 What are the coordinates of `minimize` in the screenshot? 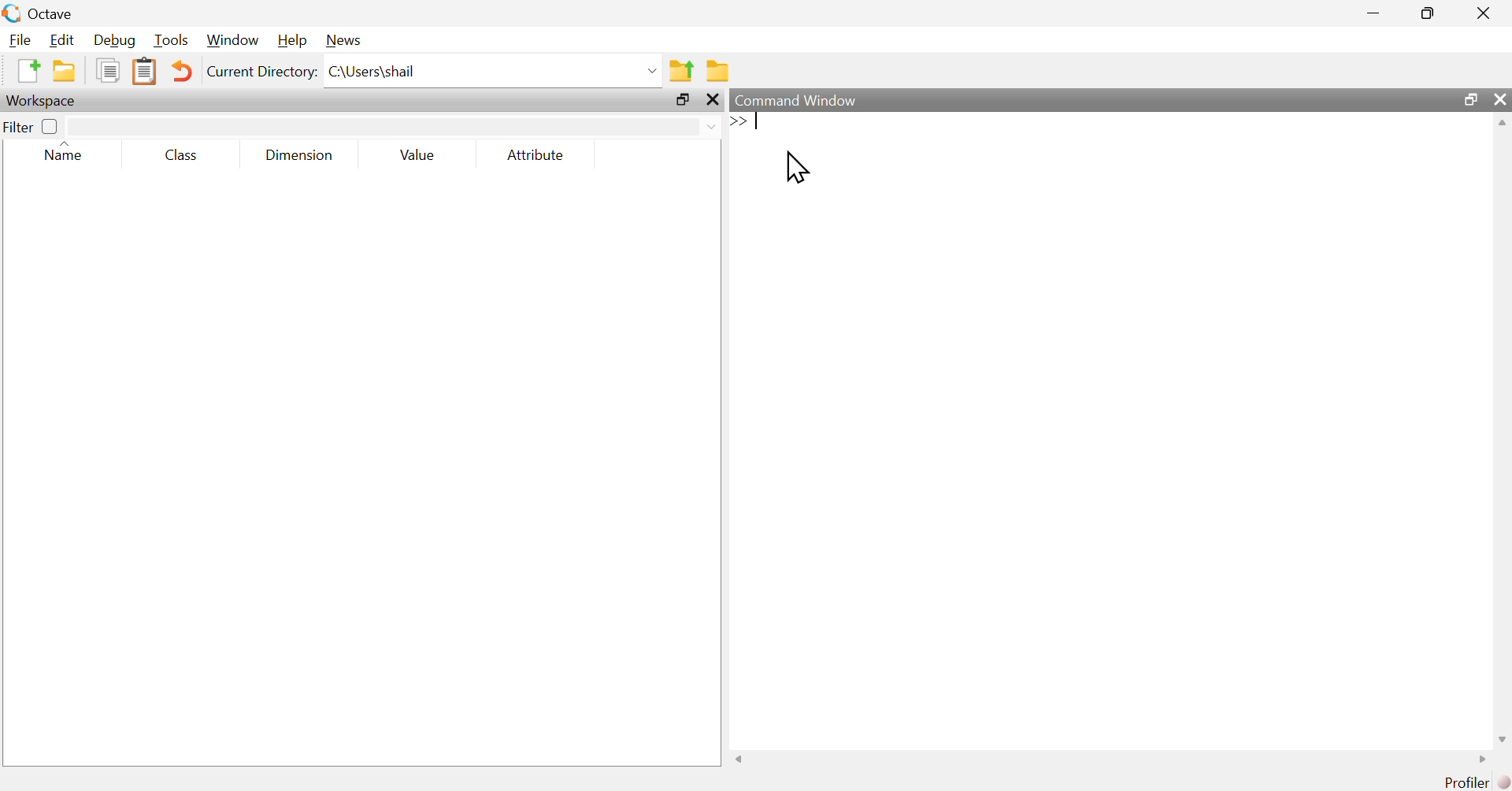 It's located at (1372, 11).